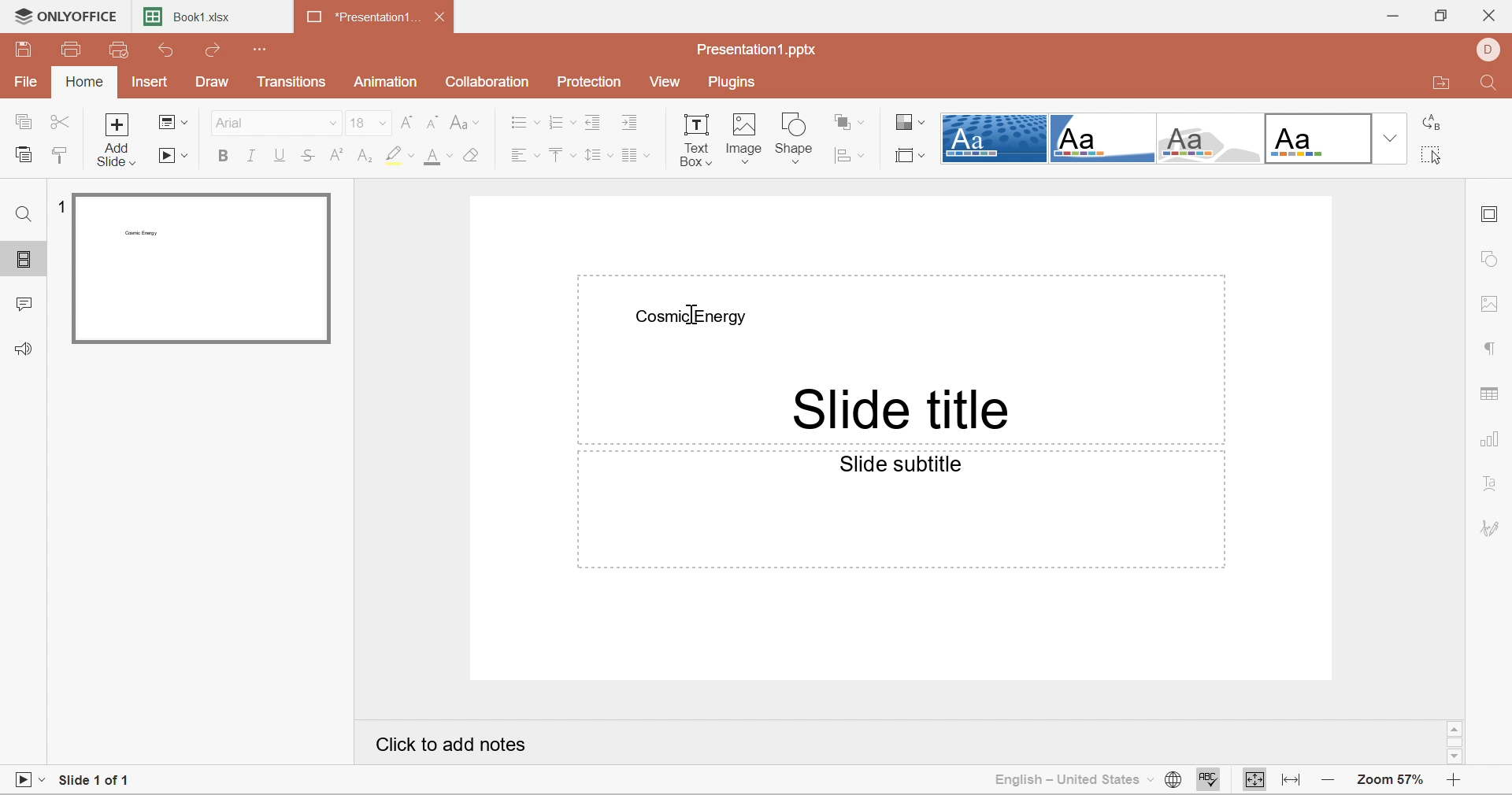 The height and width of the screenshot is (795, 1512). Describe the element at coordinates (251, 157) in the screenshot. I see `Italic` at that location.